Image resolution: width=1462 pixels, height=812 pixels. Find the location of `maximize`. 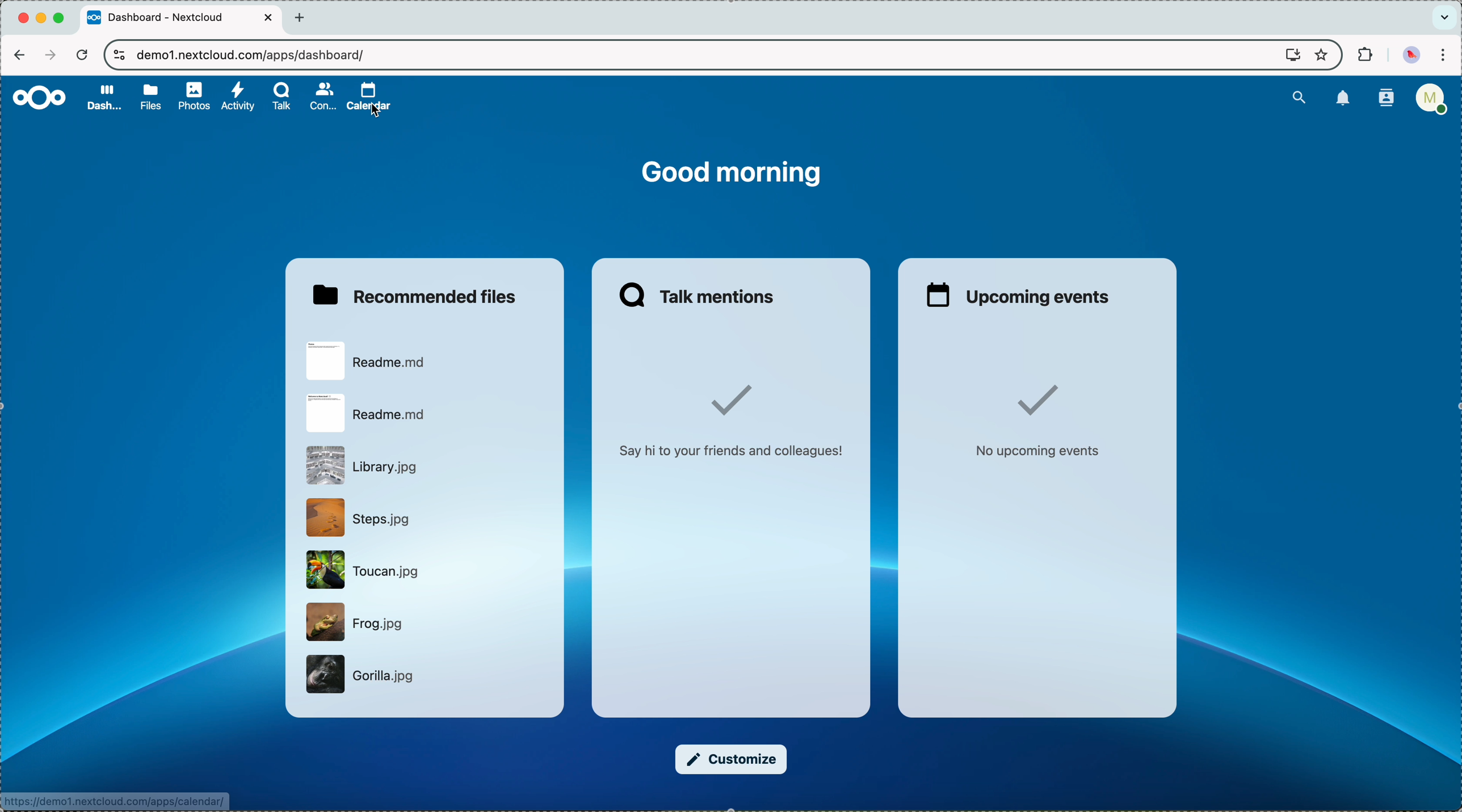

maximize is located at coordinates (61, 18).